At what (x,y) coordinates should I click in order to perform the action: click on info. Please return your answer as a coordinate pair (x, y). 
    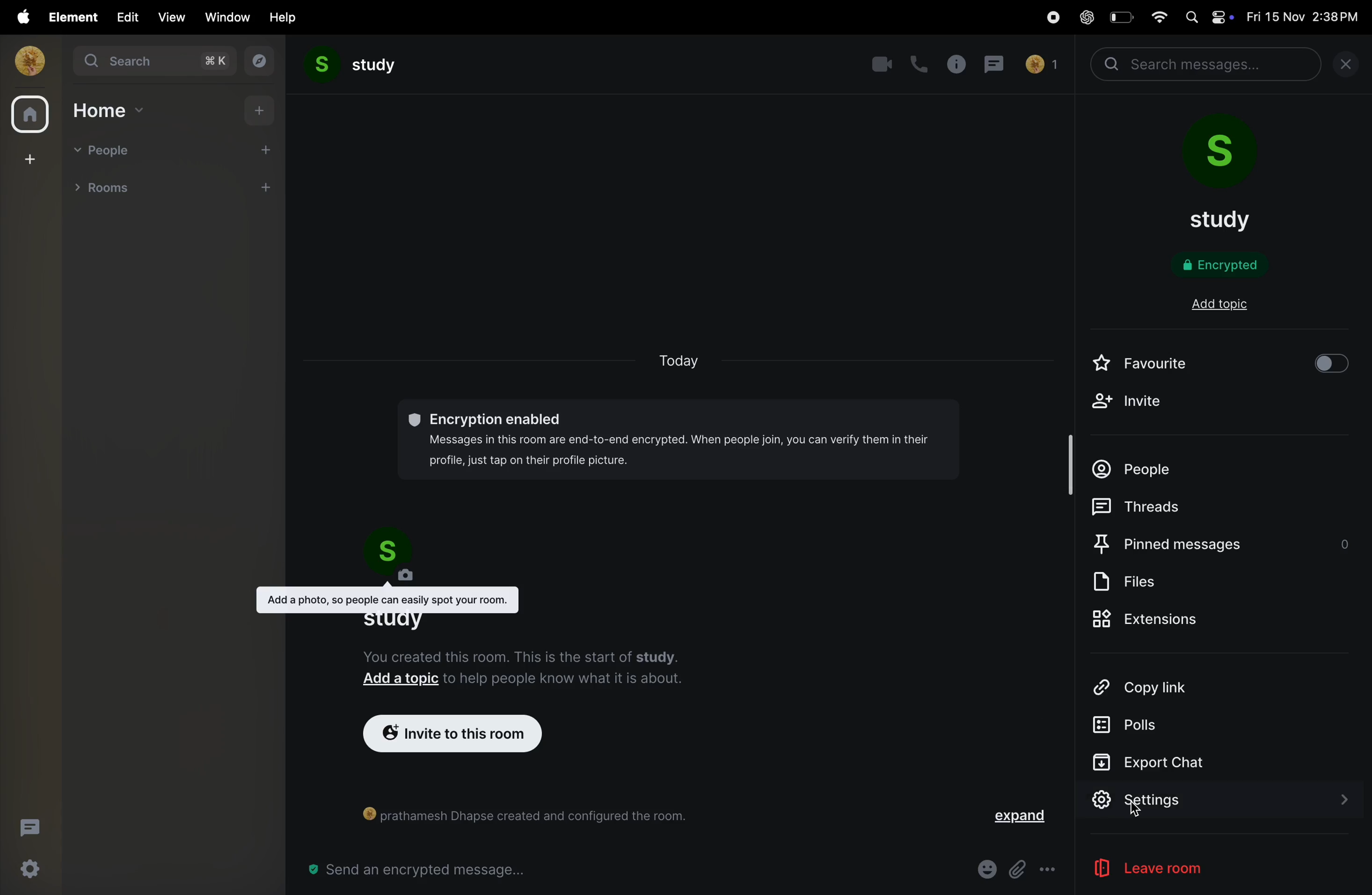
    Looking at the image, I should click on (956, 65).